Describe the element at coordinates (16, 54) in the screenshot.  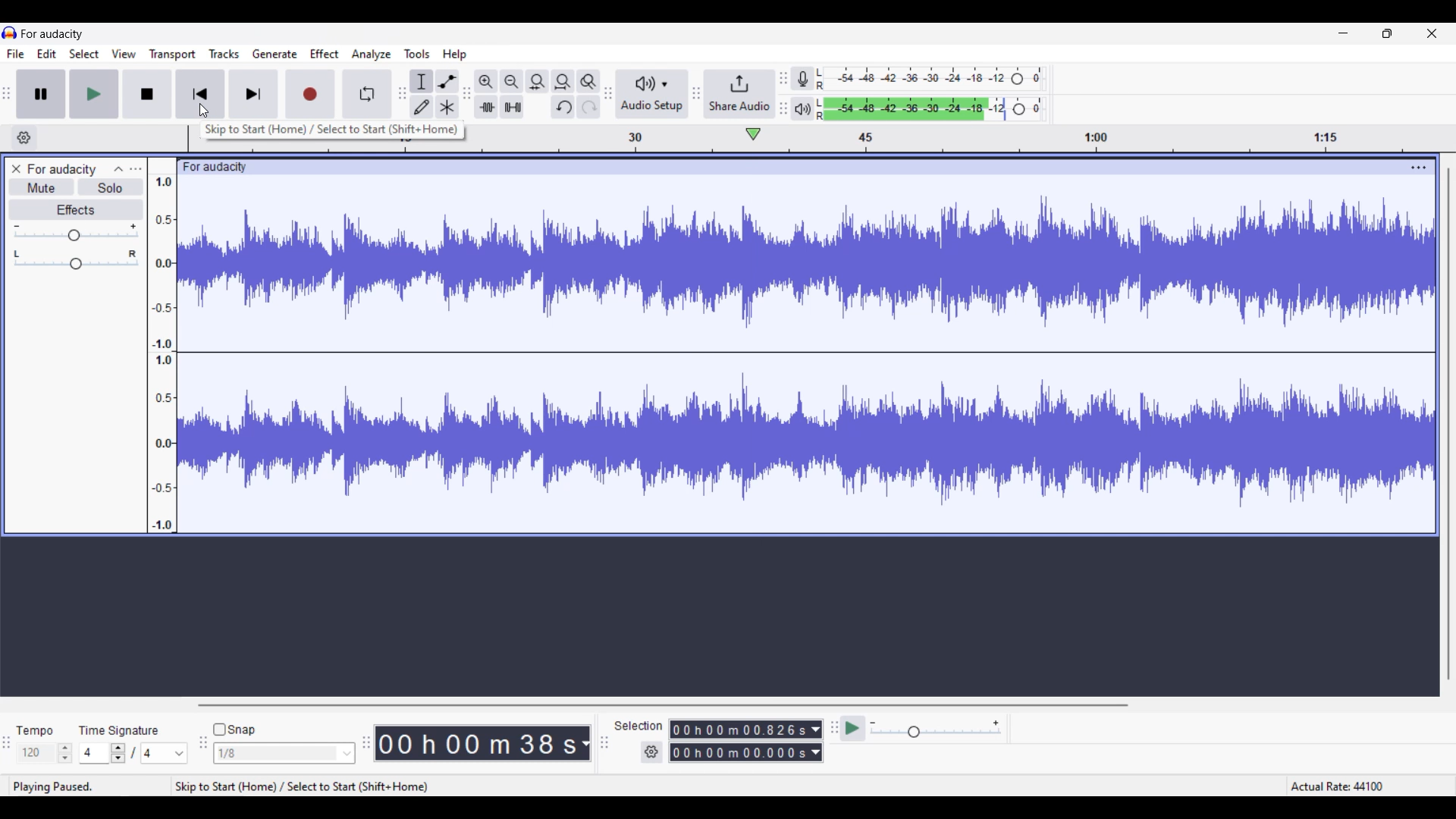
I see `File menu` at that location.